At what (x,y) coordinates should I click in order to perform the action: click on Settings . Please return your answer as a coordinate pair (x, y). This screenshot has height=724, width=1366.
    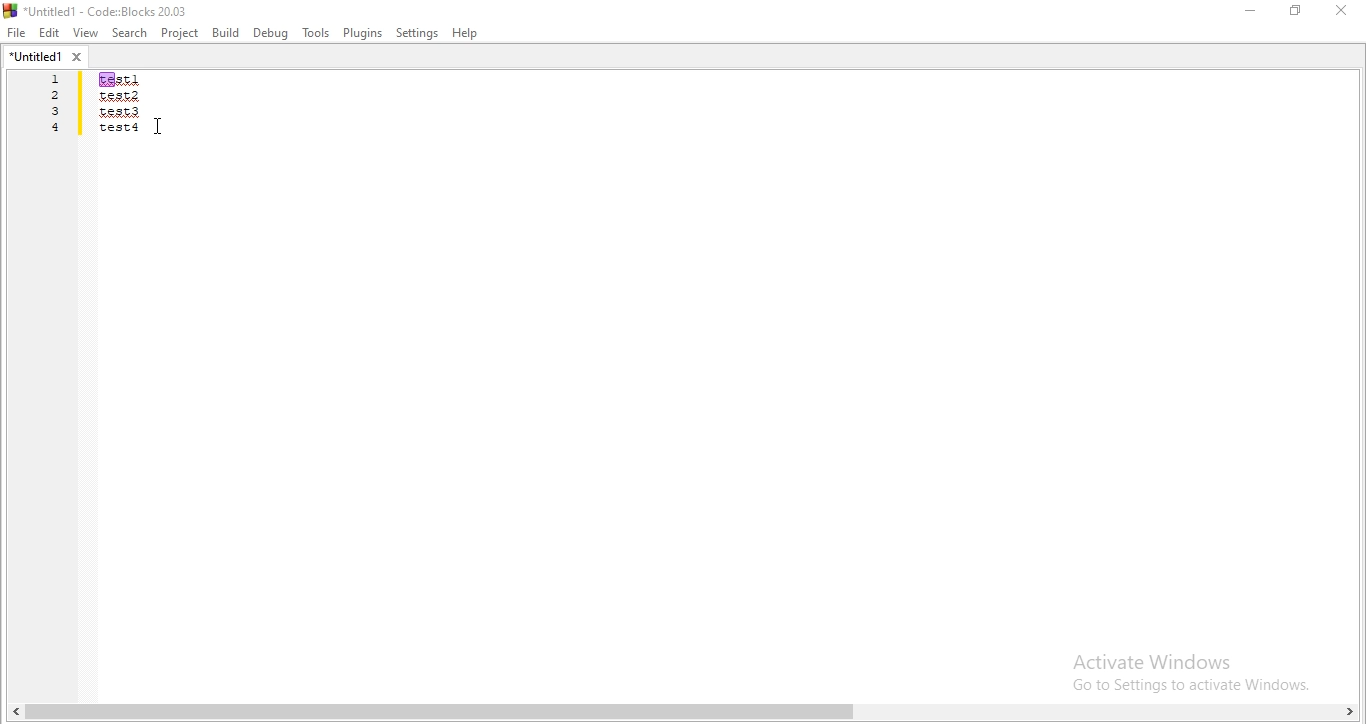
    Looking at the image, I should click on (419, 33).